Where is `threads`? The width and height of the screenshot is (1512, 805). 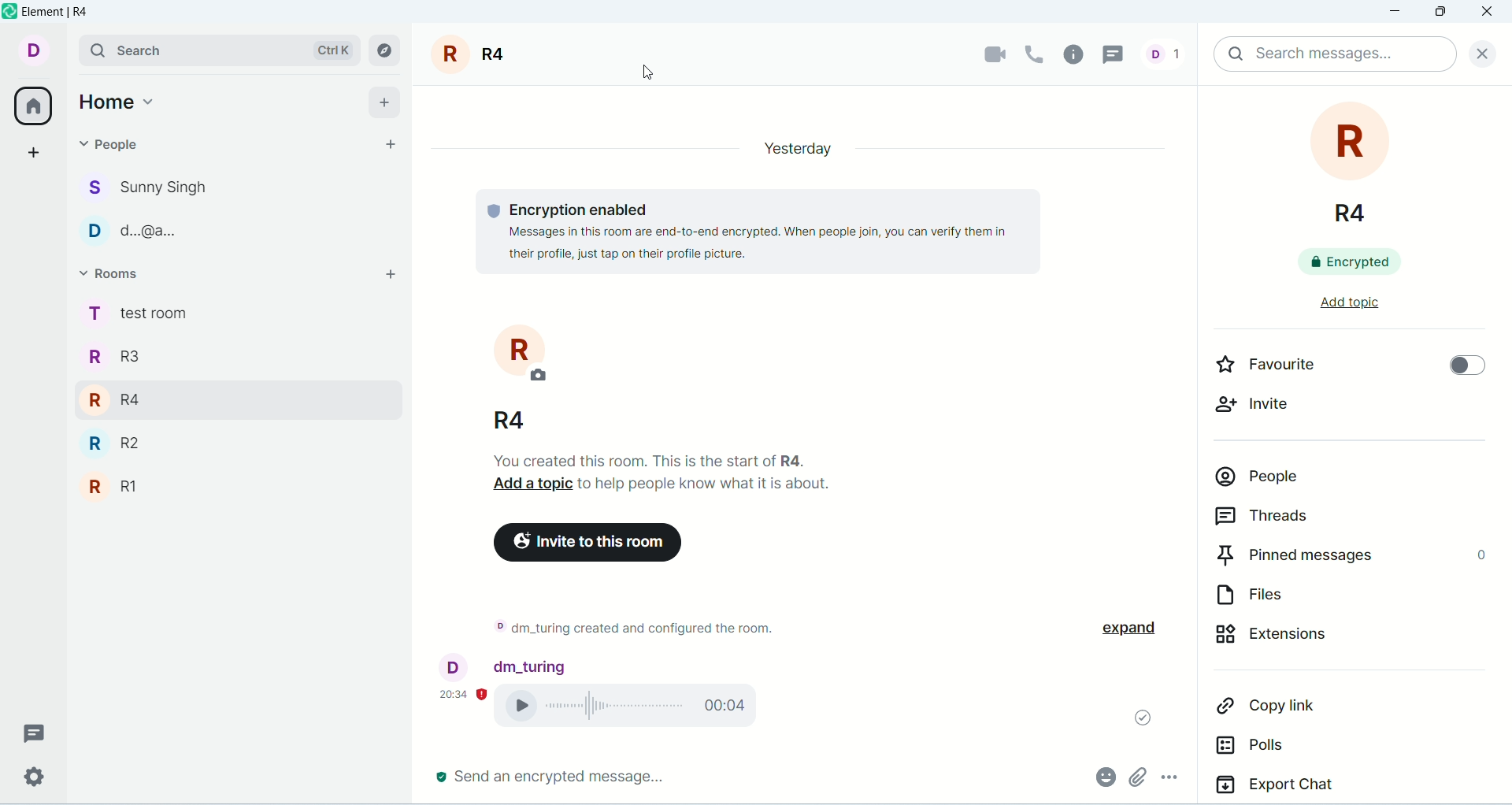 threads is located at coordinates (35, 733).